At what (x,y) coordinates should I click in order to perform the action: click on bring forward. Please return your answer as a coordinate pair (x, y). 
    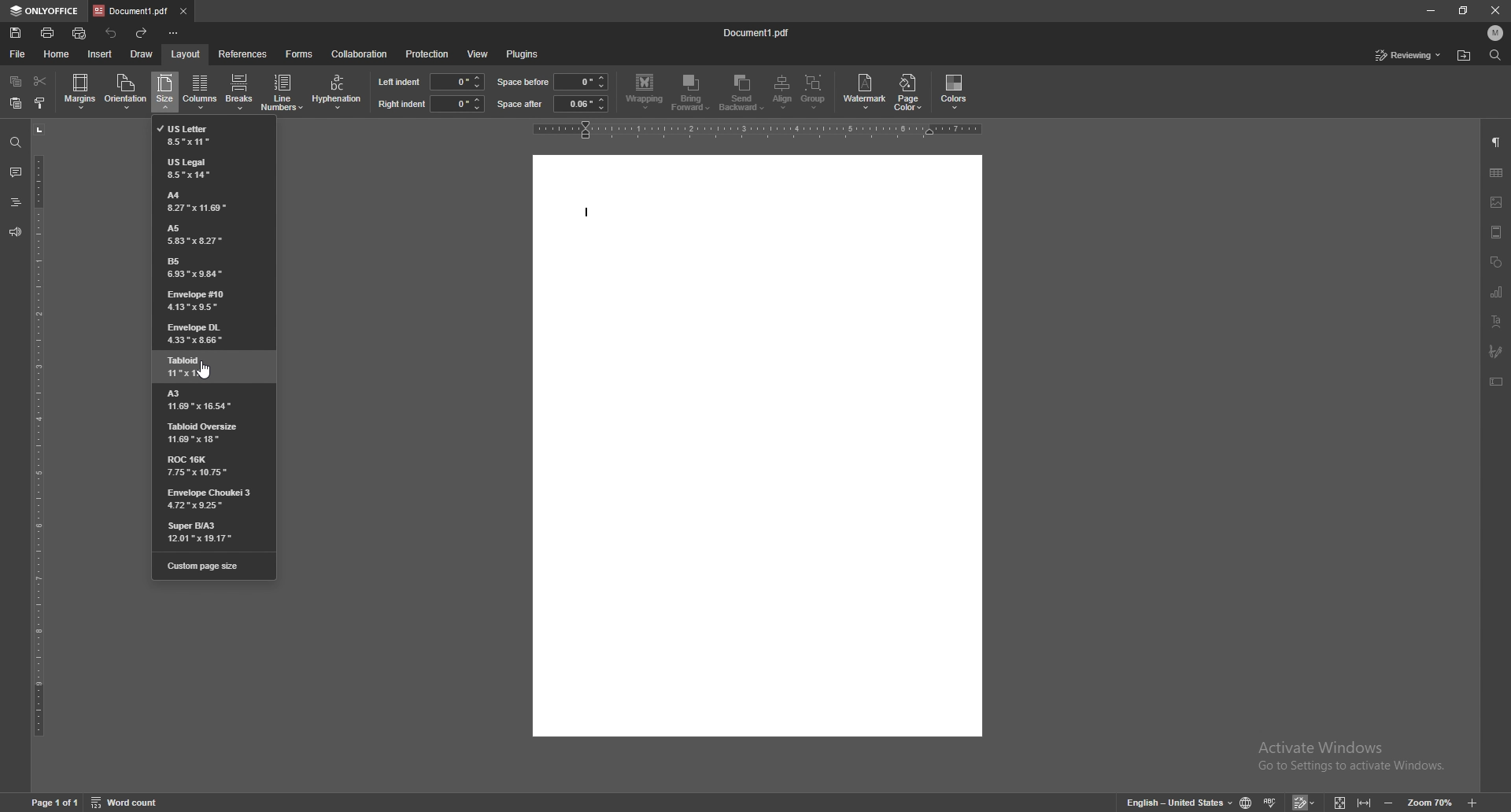
    Looking at the image, I should click on (692, 94).